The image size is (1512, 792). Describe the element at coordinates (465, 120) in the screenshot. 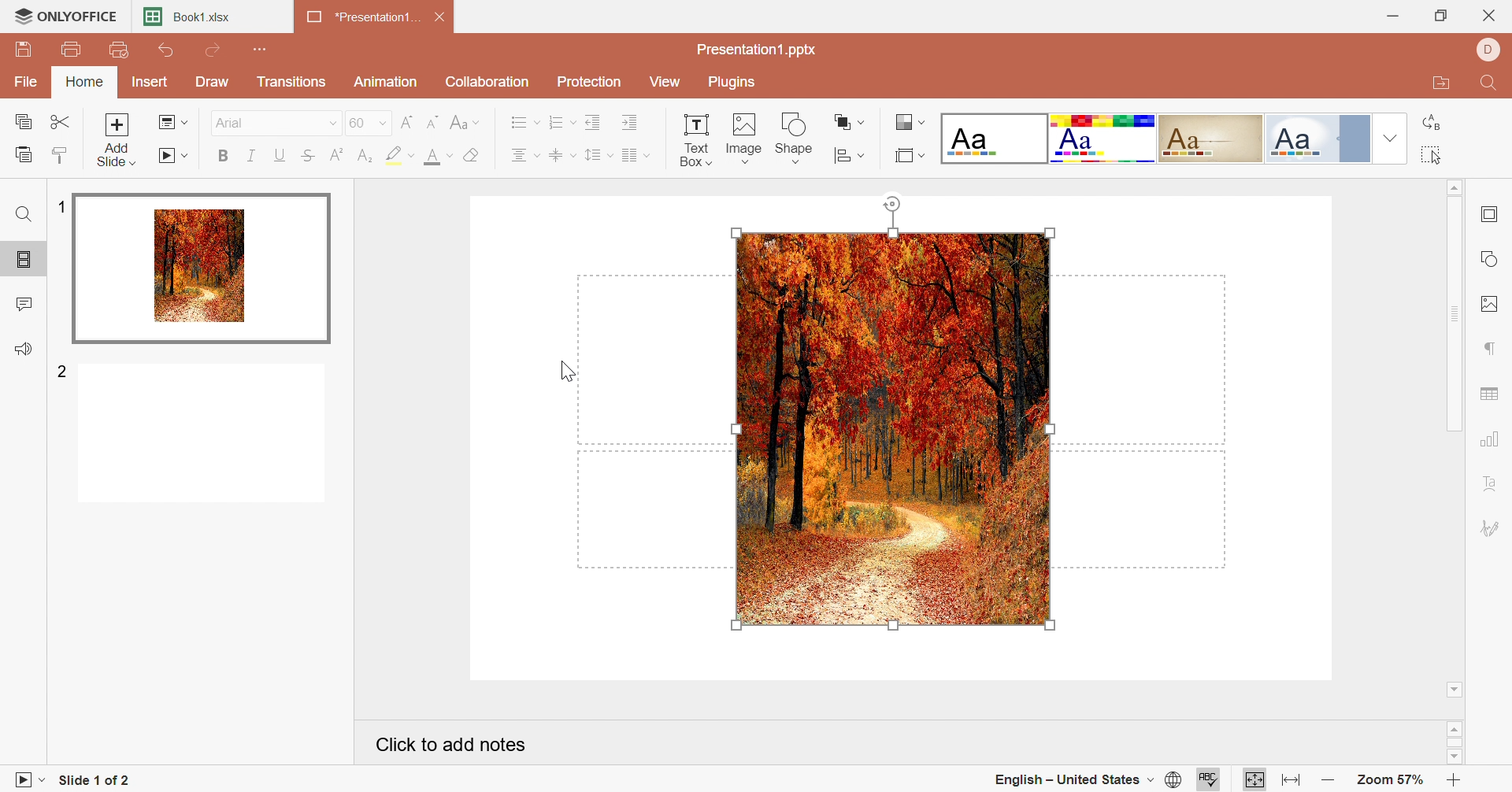

I see `Change case` at that location.